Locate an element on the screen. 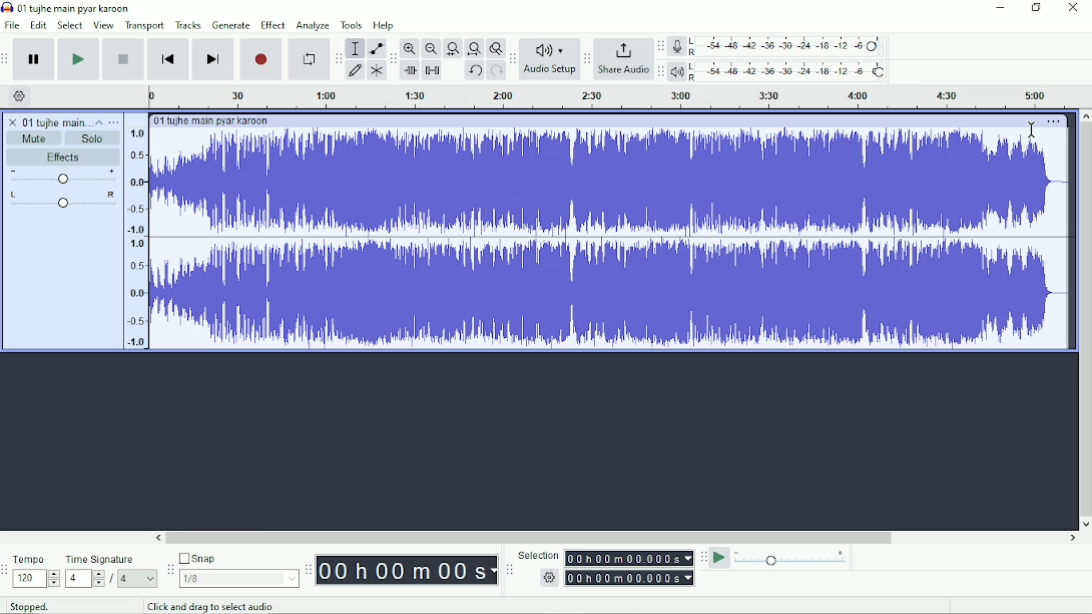 The image size is (1092, 614). Selection is located at coordinates (538, 553).